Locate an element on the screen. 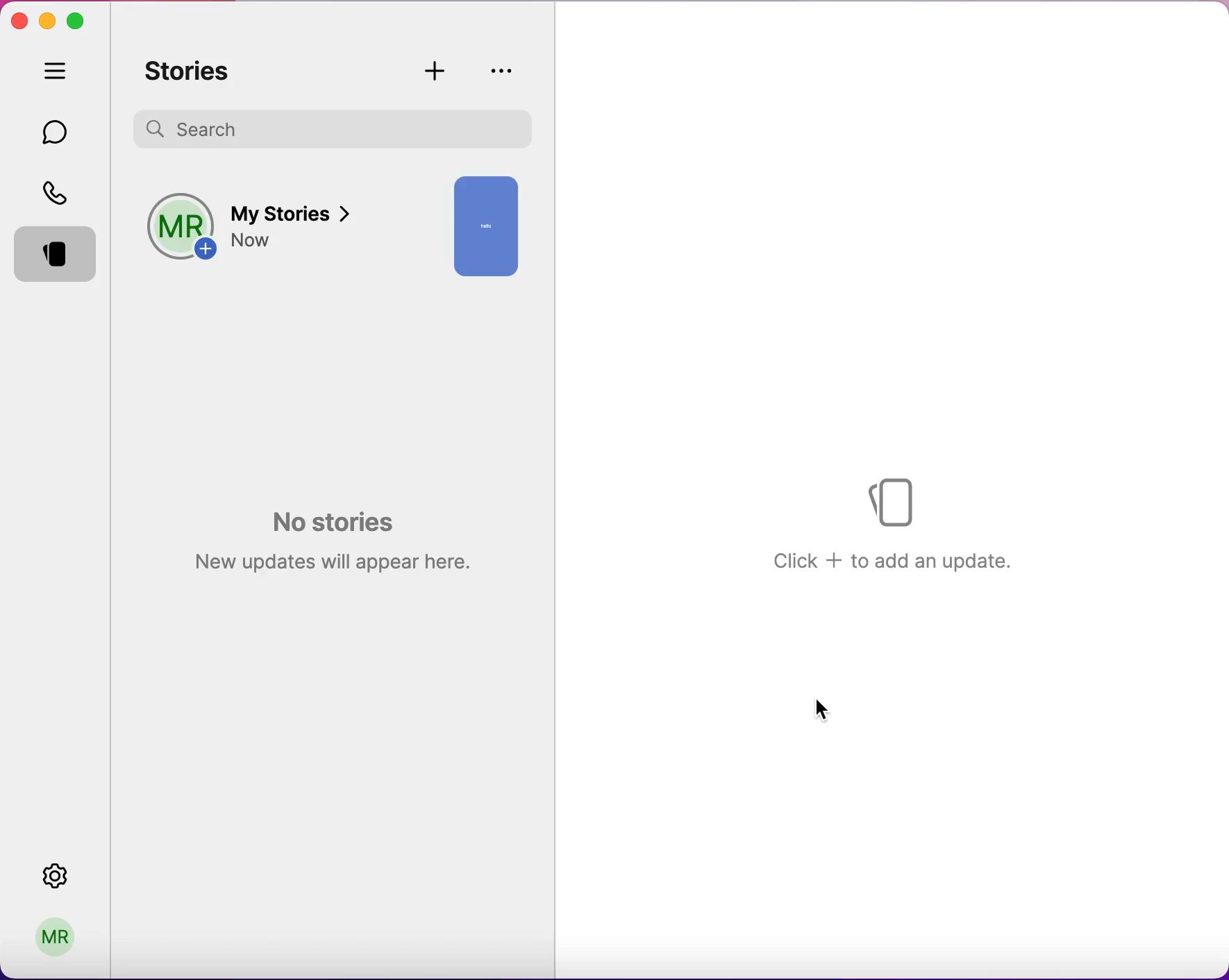  profile picture is located at coordinates (179, 225).